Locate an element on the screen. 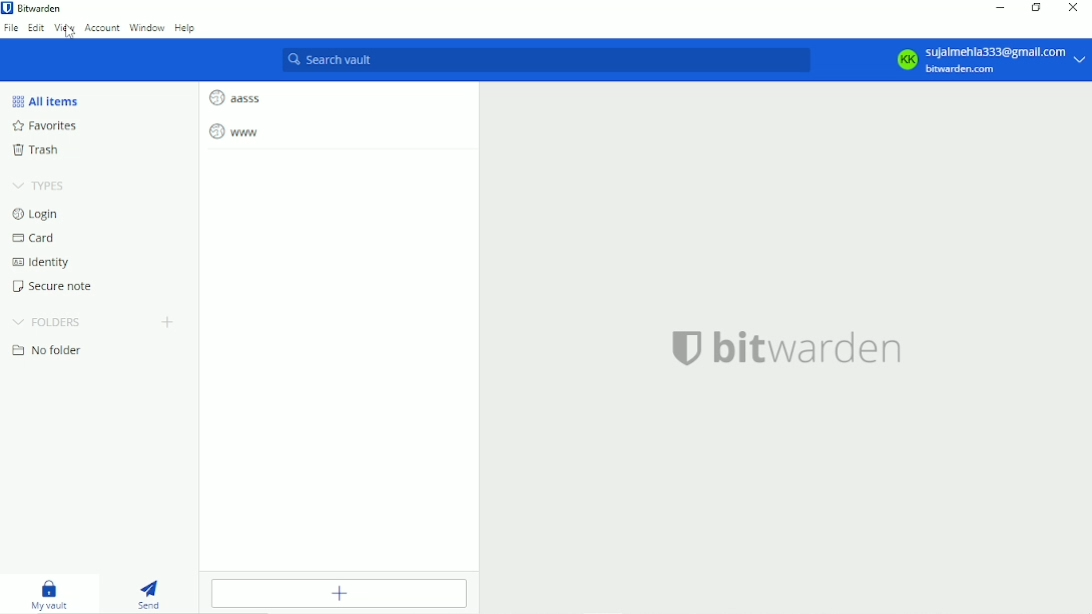  Identity is located at coordinates (44, 262).